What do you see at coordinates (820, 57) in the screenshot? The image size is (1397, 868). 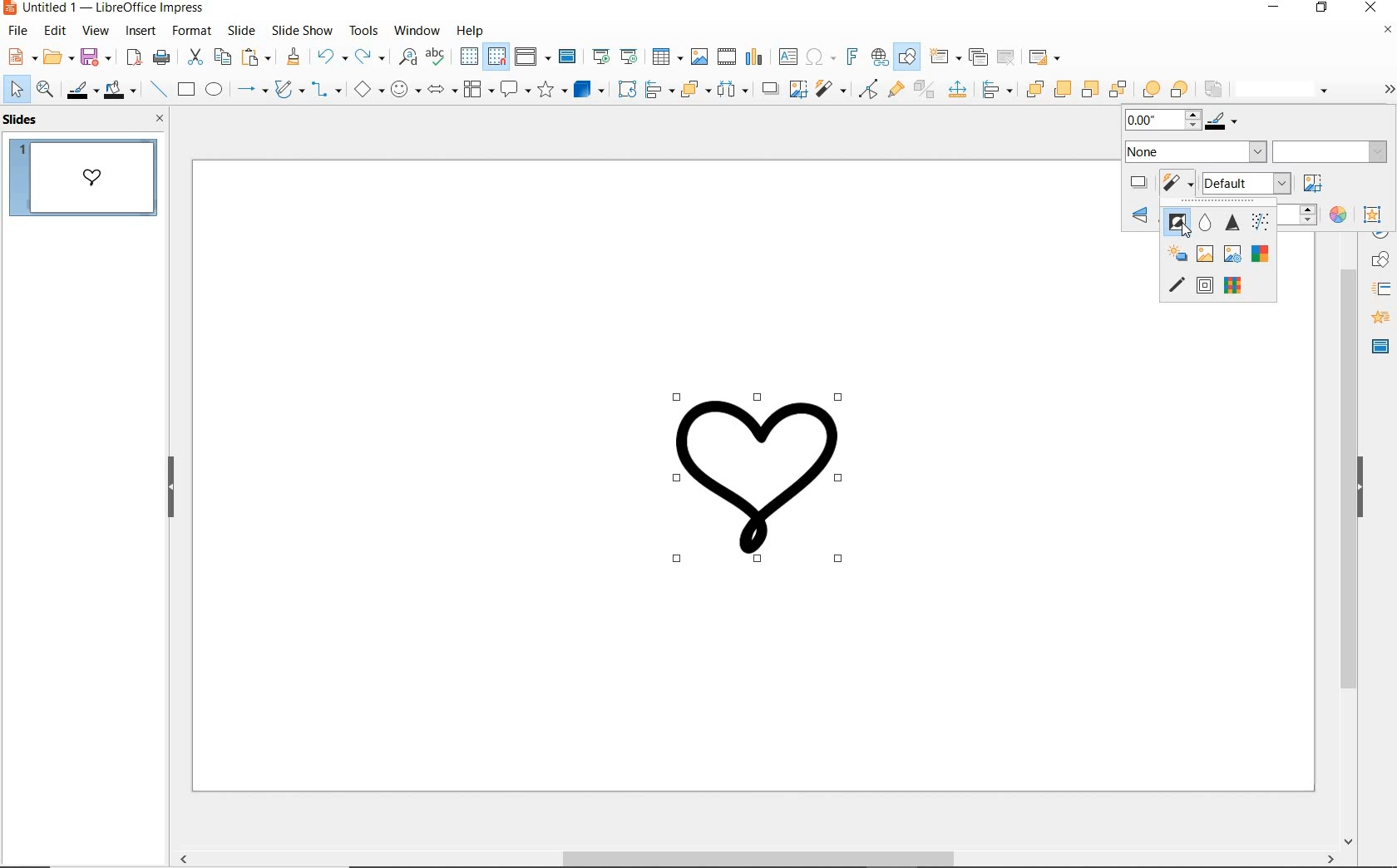 I see `insert special character` at bounding box center [820, 57].